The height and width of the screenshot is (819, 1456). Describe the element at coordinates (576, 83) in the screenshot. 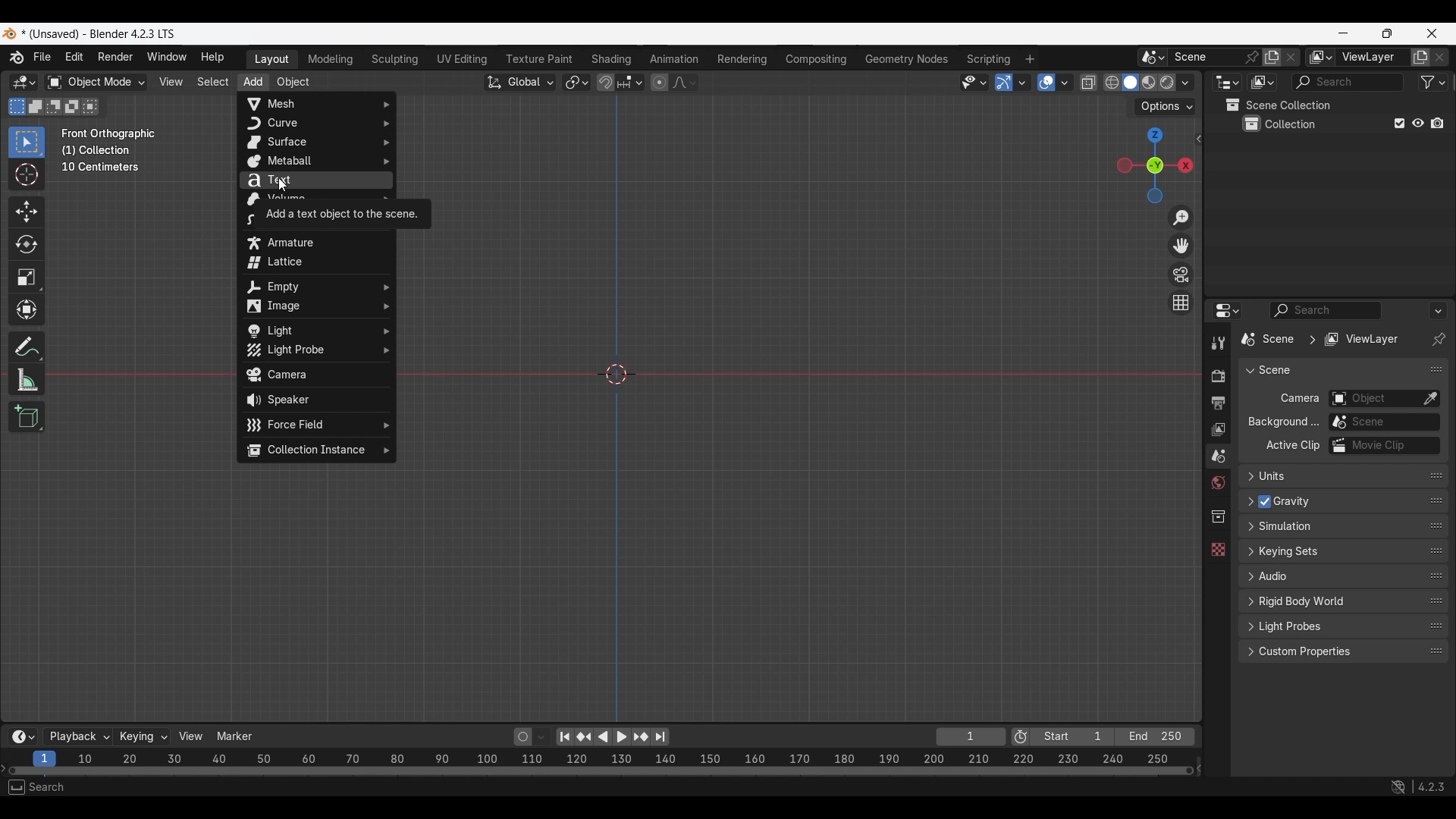

I see `Transform pivot point` at that location.